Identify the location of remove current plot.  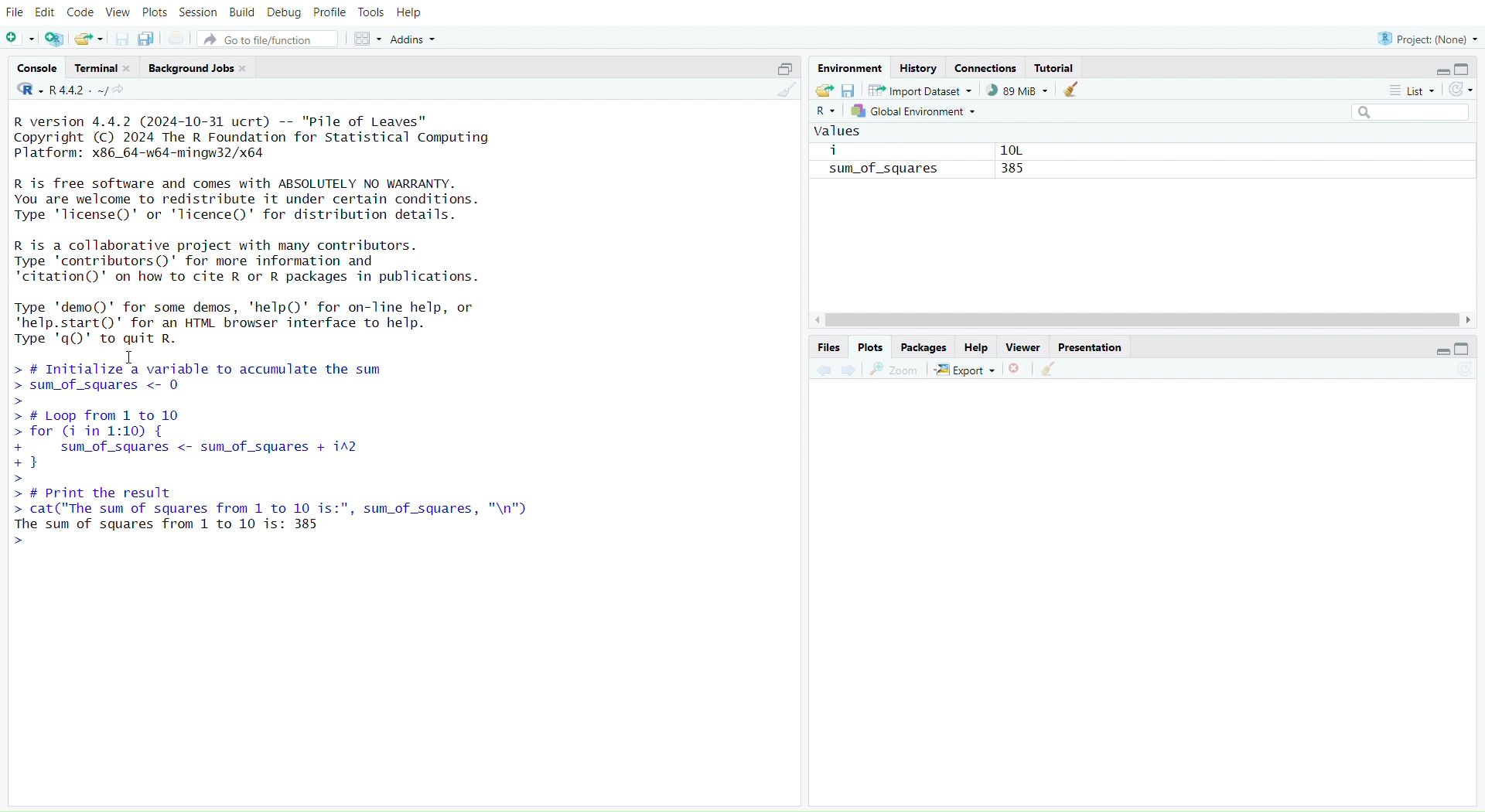
(1018, 369).